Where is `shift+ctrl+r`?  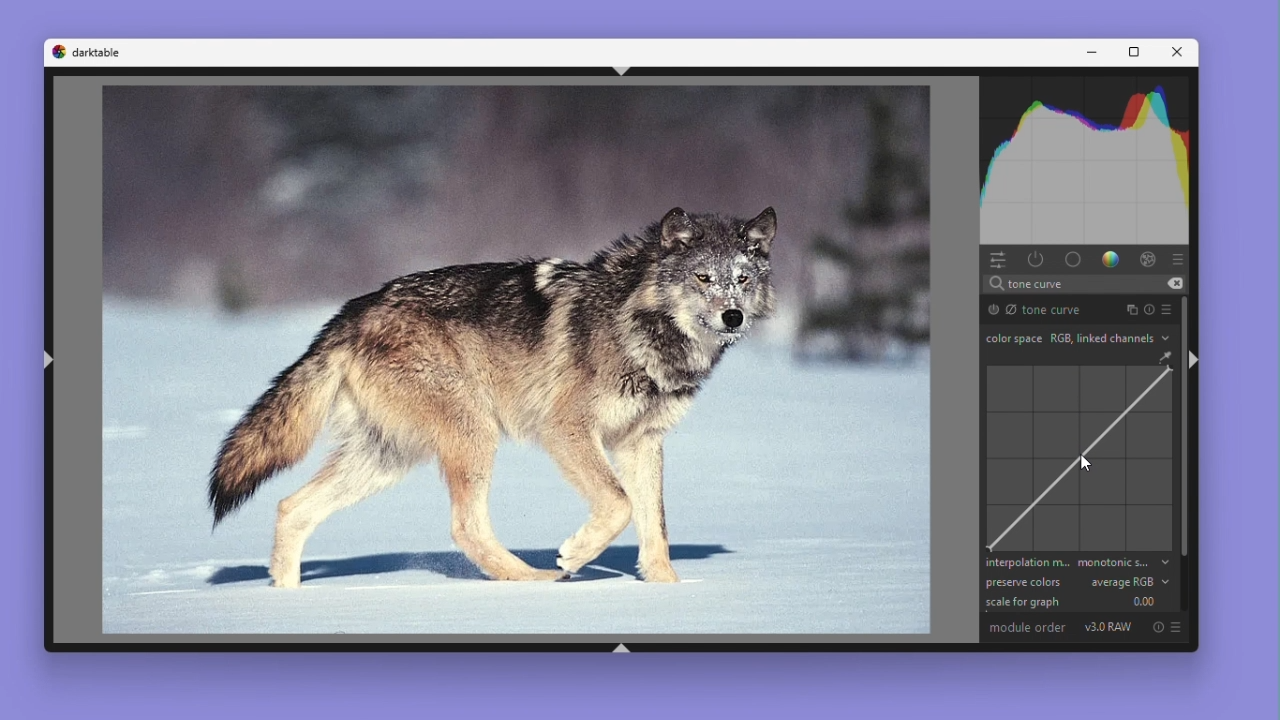
shift+ctrl+r is located at coordinates (1200, 359).